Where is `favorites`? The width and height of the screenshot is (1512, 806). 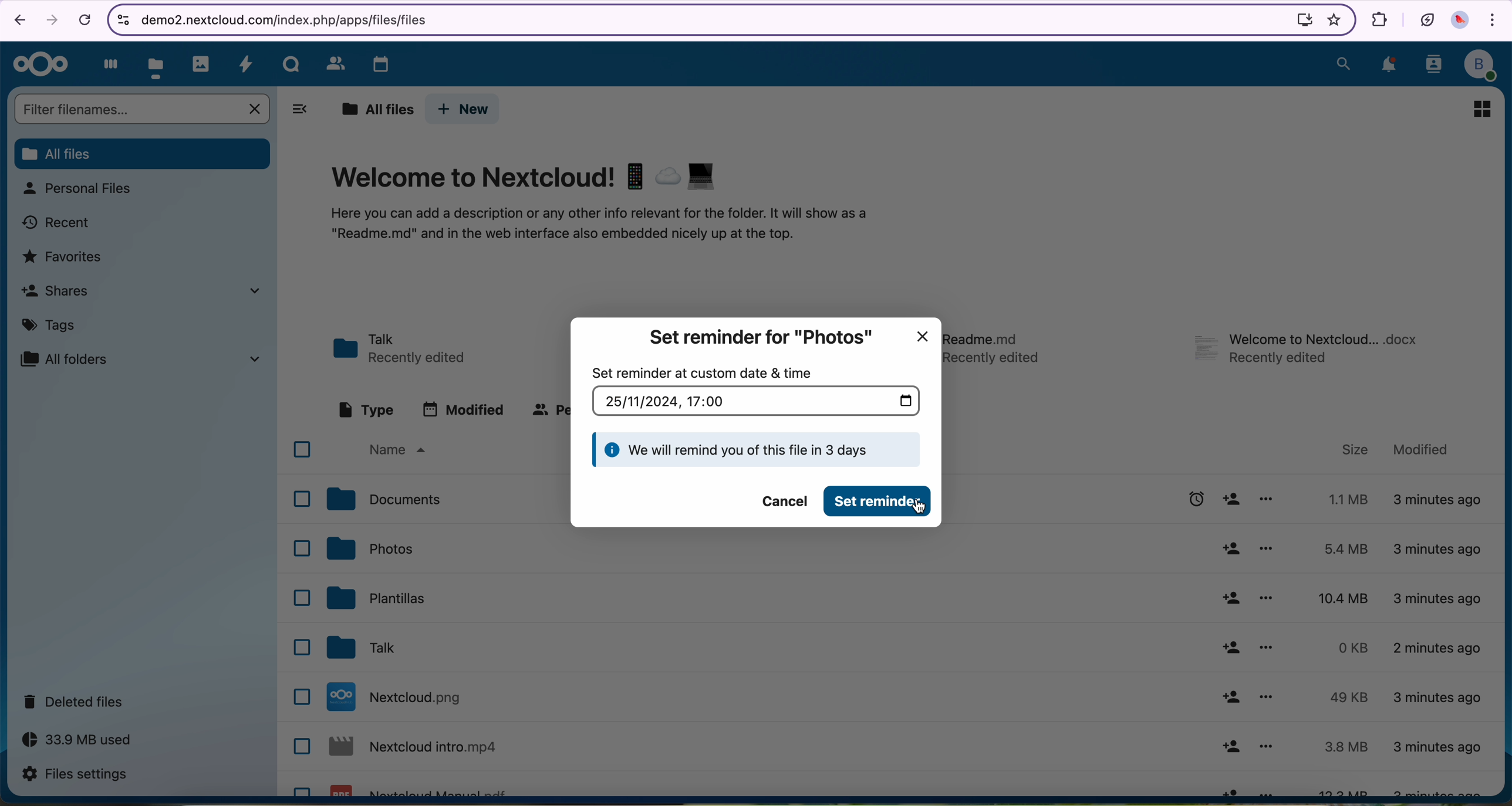 favorites is located at coordinates (1331, 19).